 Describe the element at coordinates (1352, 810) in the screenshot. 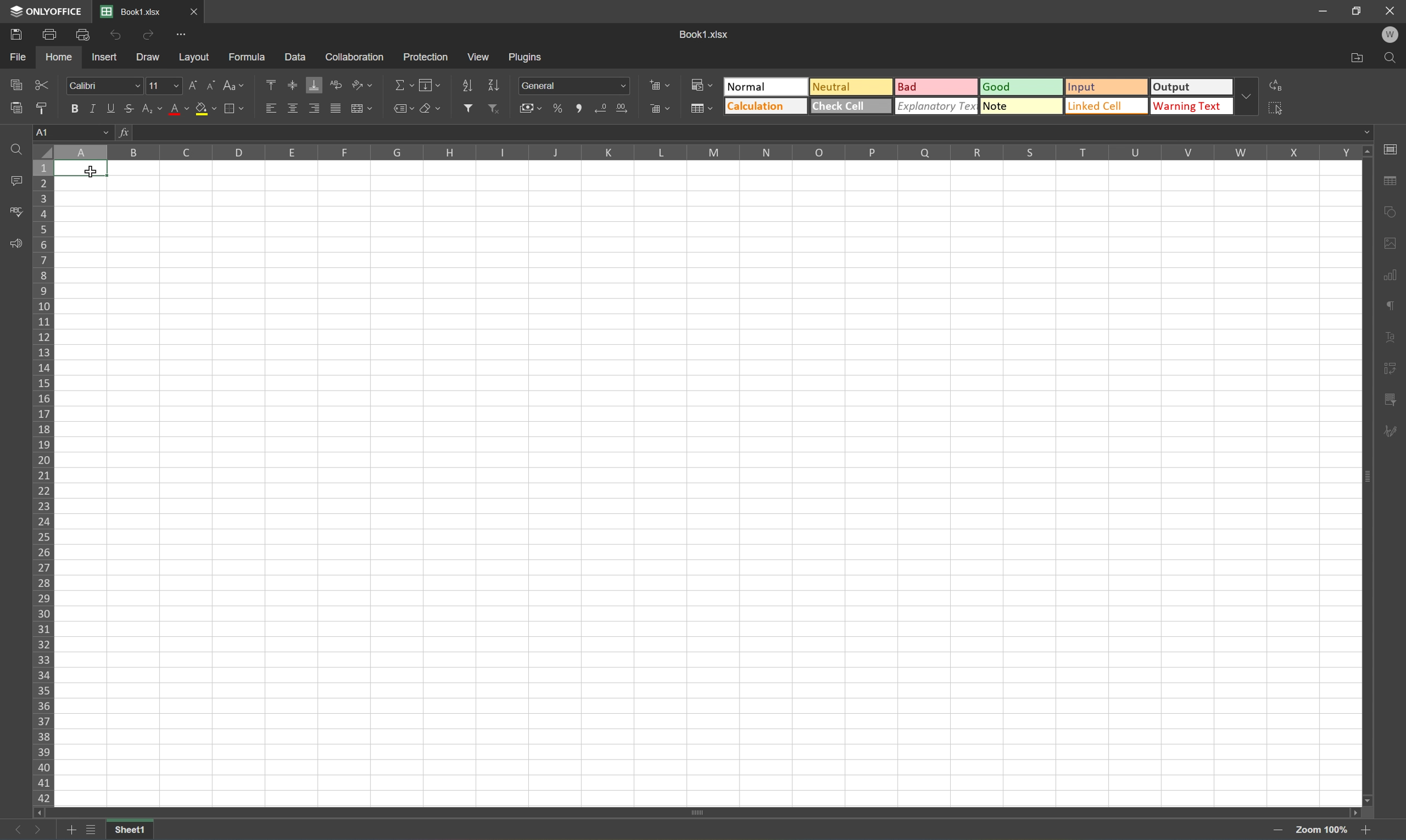

I see `Scroll right` at that location.